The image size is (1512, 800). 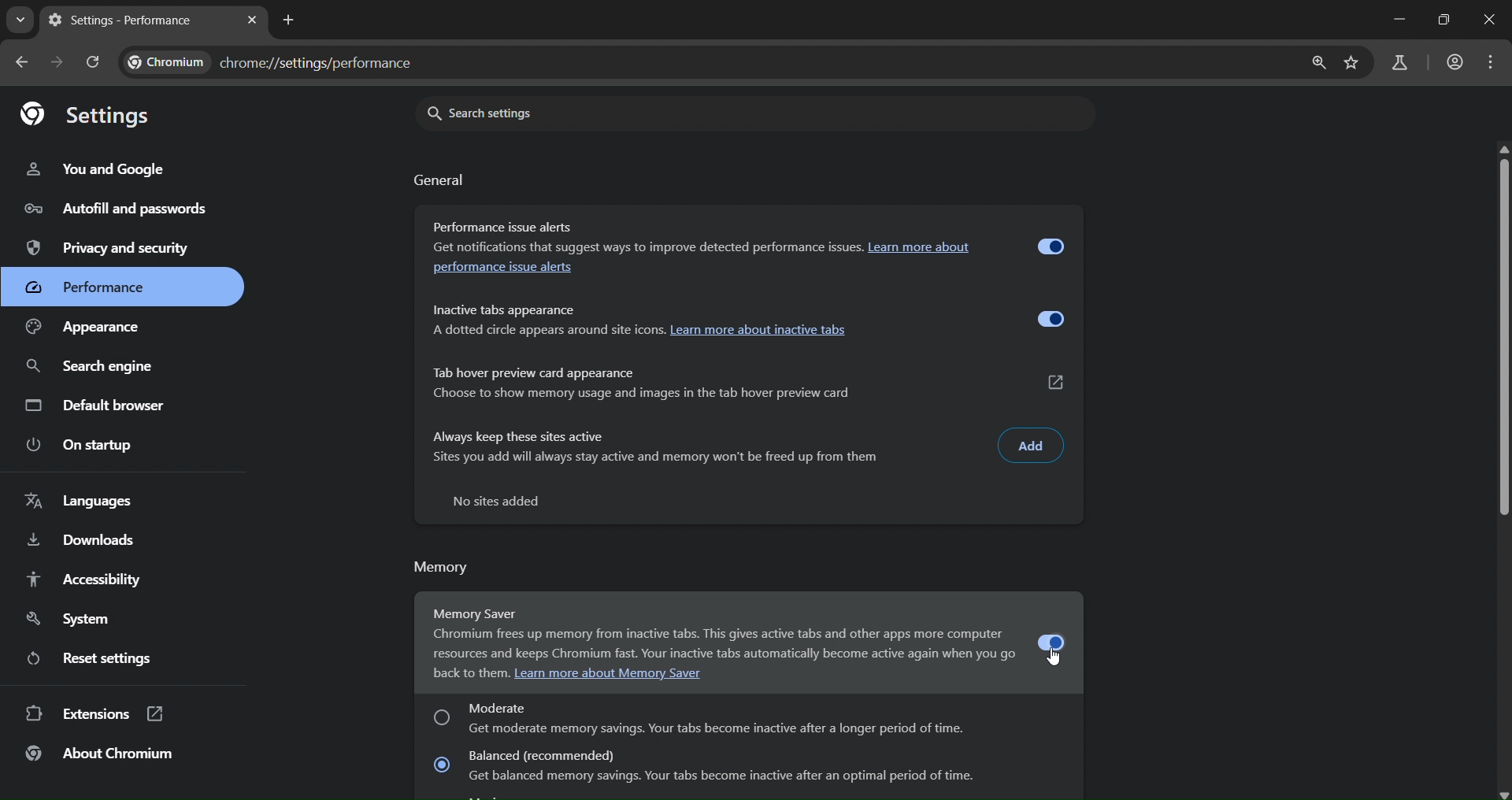 I want to click on settings, so click(x=89, y=117).